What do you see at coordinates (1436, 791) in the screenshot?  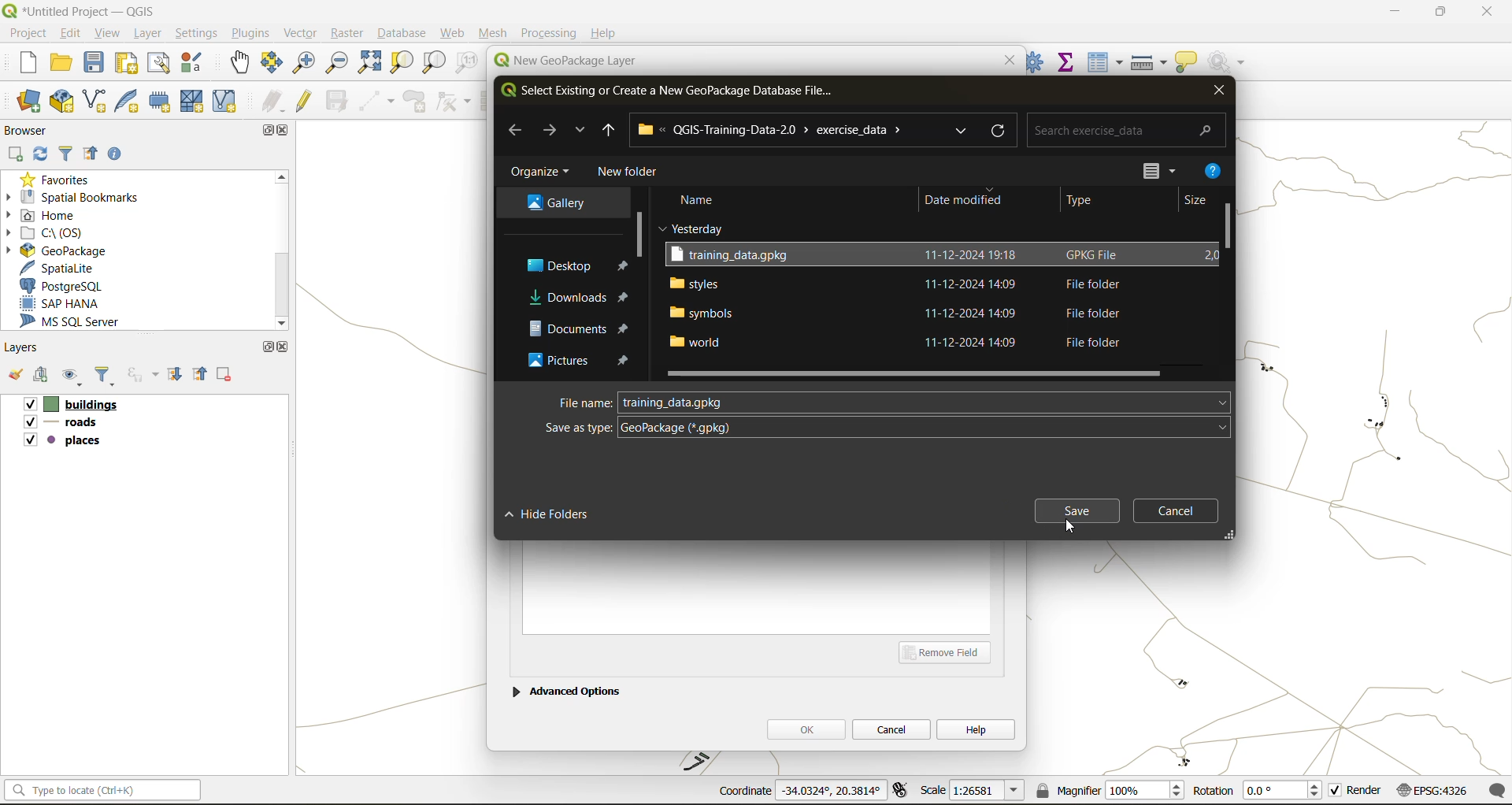 I see `crs (EPSG:4326)` at bounding box center [1436, 791].